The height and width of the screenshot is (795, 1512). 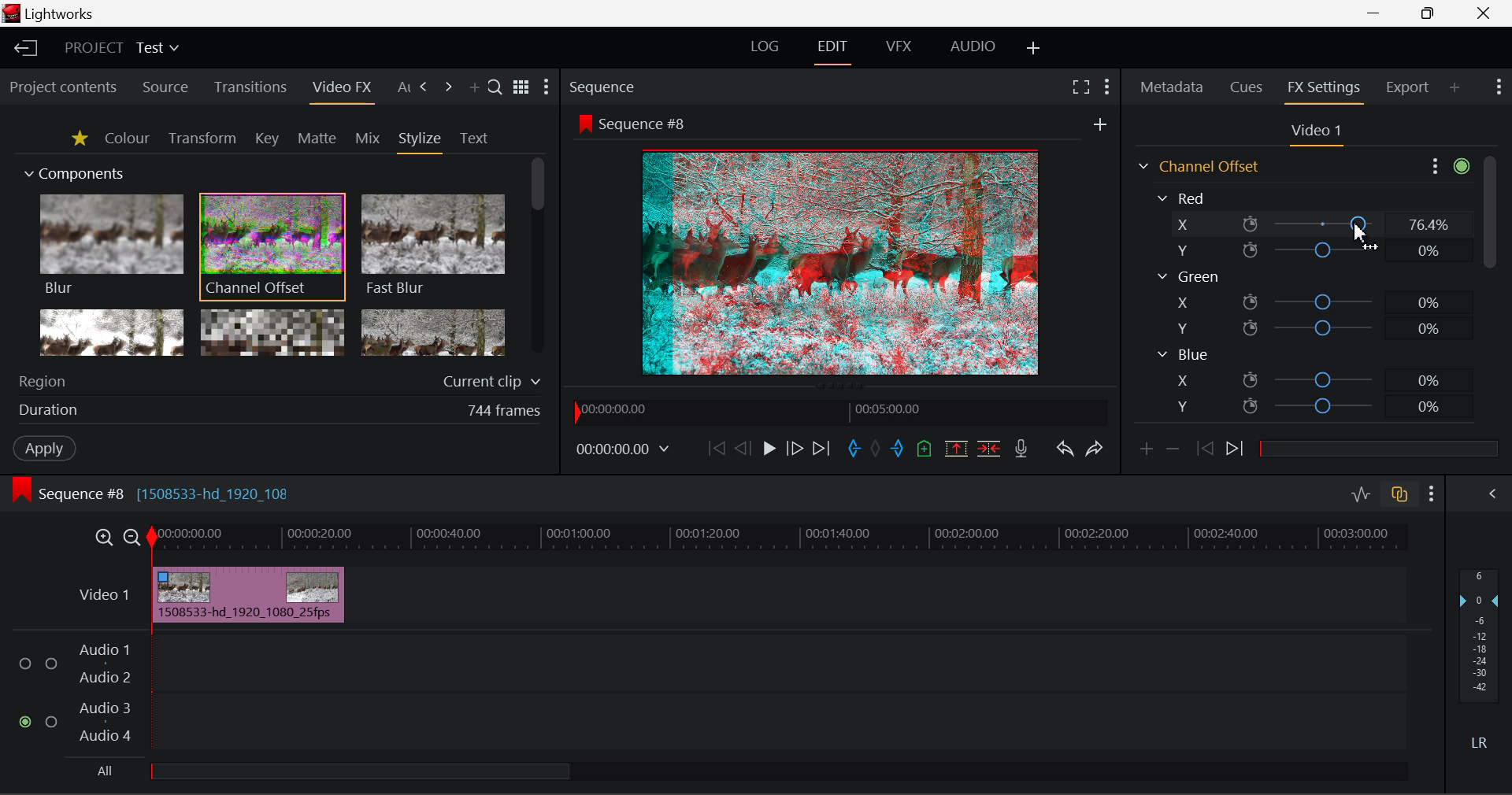 What do you see at coordinates (425, 87) in the screenshot?
I see `Next Tab` at bounding box center [425, 87].